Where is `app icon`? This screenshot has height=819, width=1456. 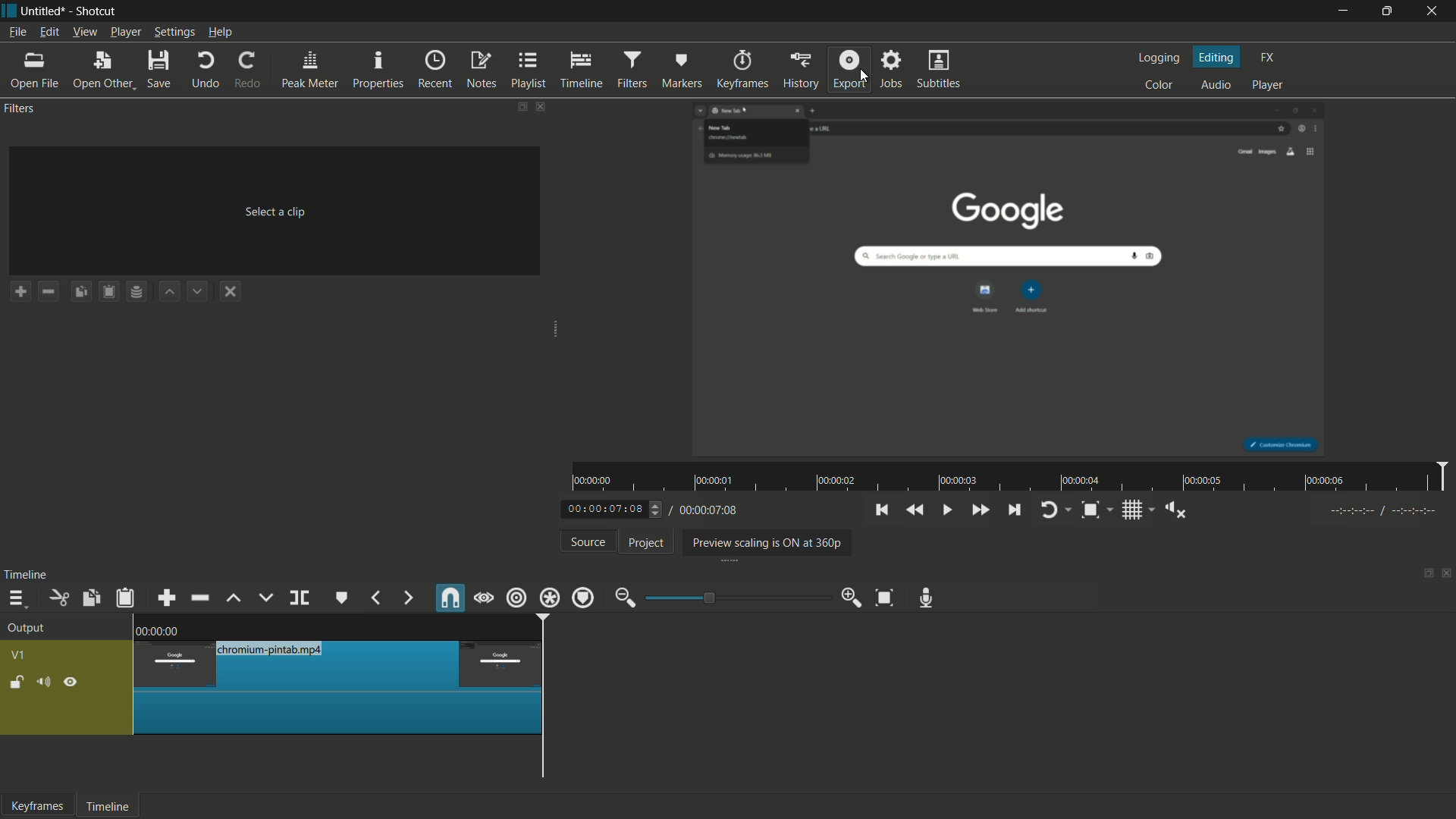
app icon is located at coordinates (9, 10).